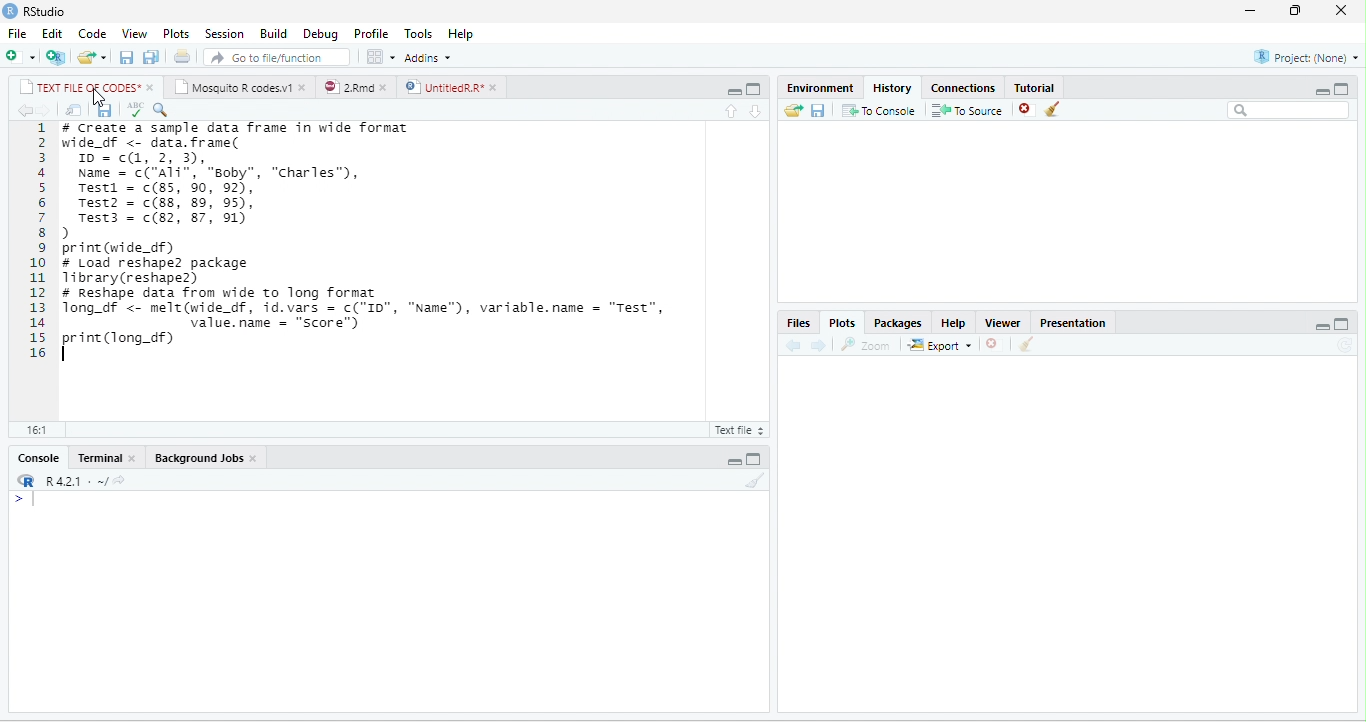 This screenshot has width=1366, height=722. Describe the element at coordinates (1342, 10) in the screenshot. I see `close` at that location.